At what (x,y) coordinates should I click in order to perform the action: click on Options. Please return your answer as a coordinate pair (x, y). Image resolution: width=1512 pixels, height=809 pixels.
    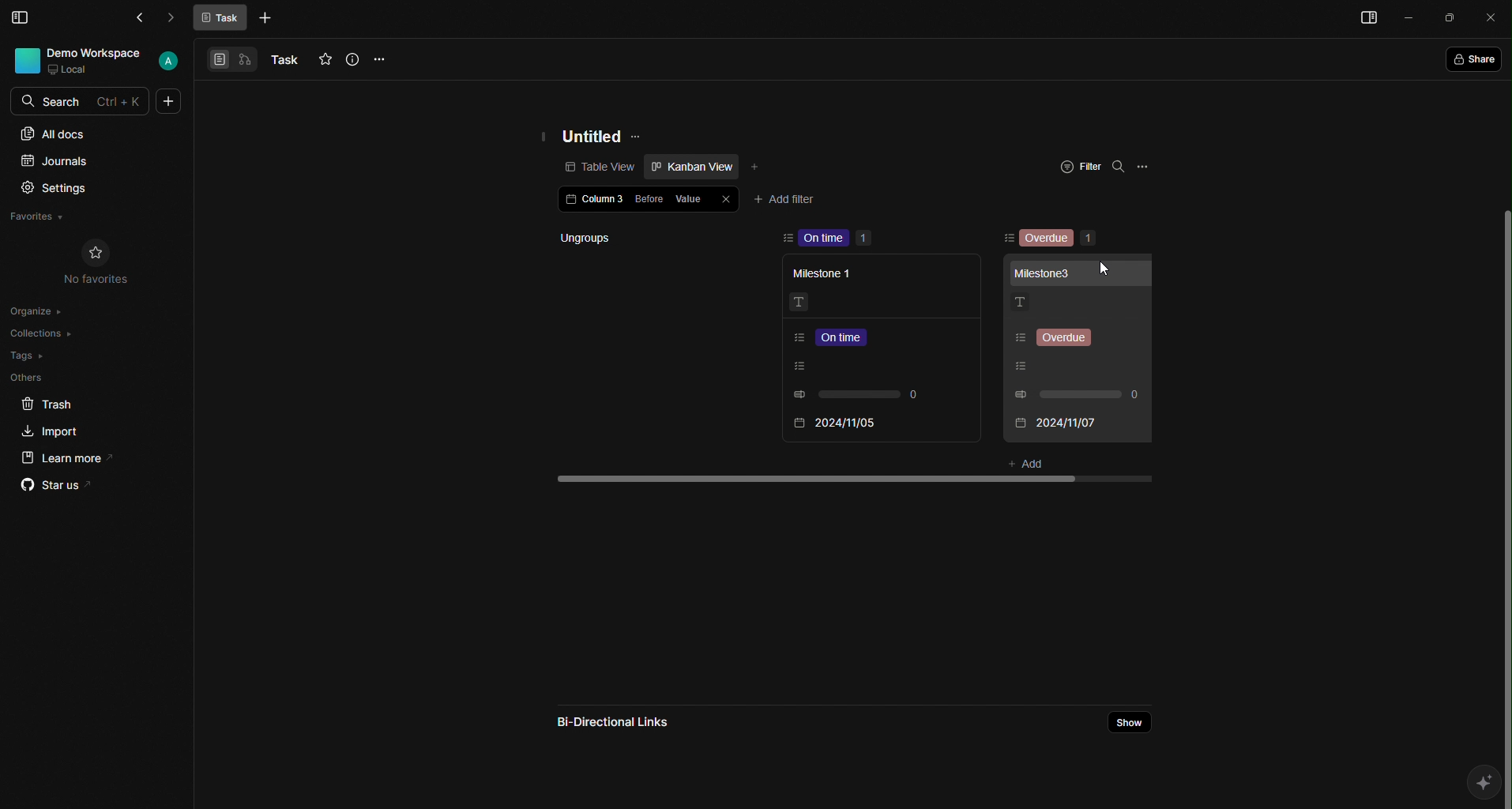
    Looking at the image, I should click on (381, 58).